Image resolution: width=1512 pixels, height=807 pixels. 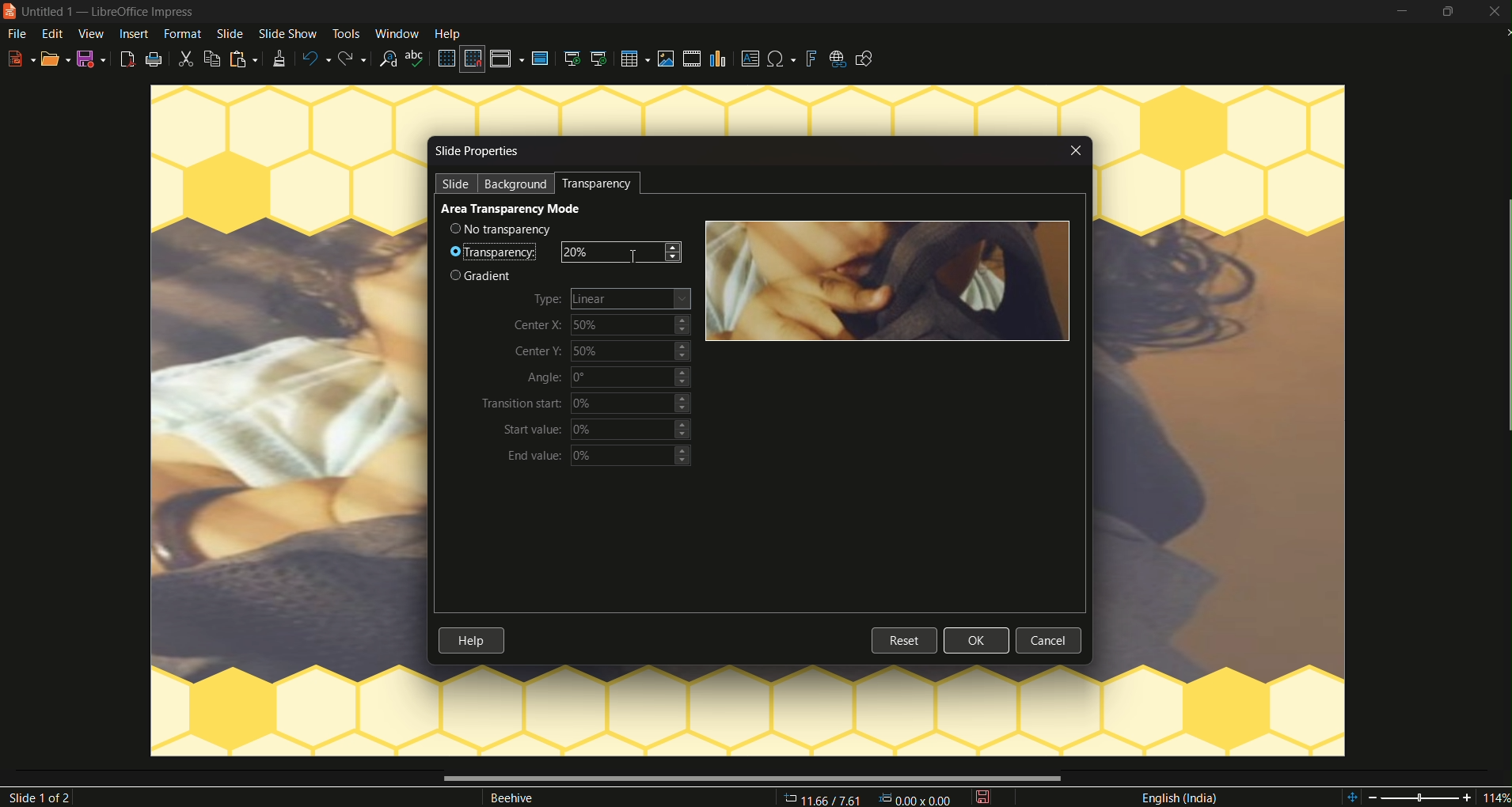 I want to click on area transparency mode, so click(x=511, y=209).